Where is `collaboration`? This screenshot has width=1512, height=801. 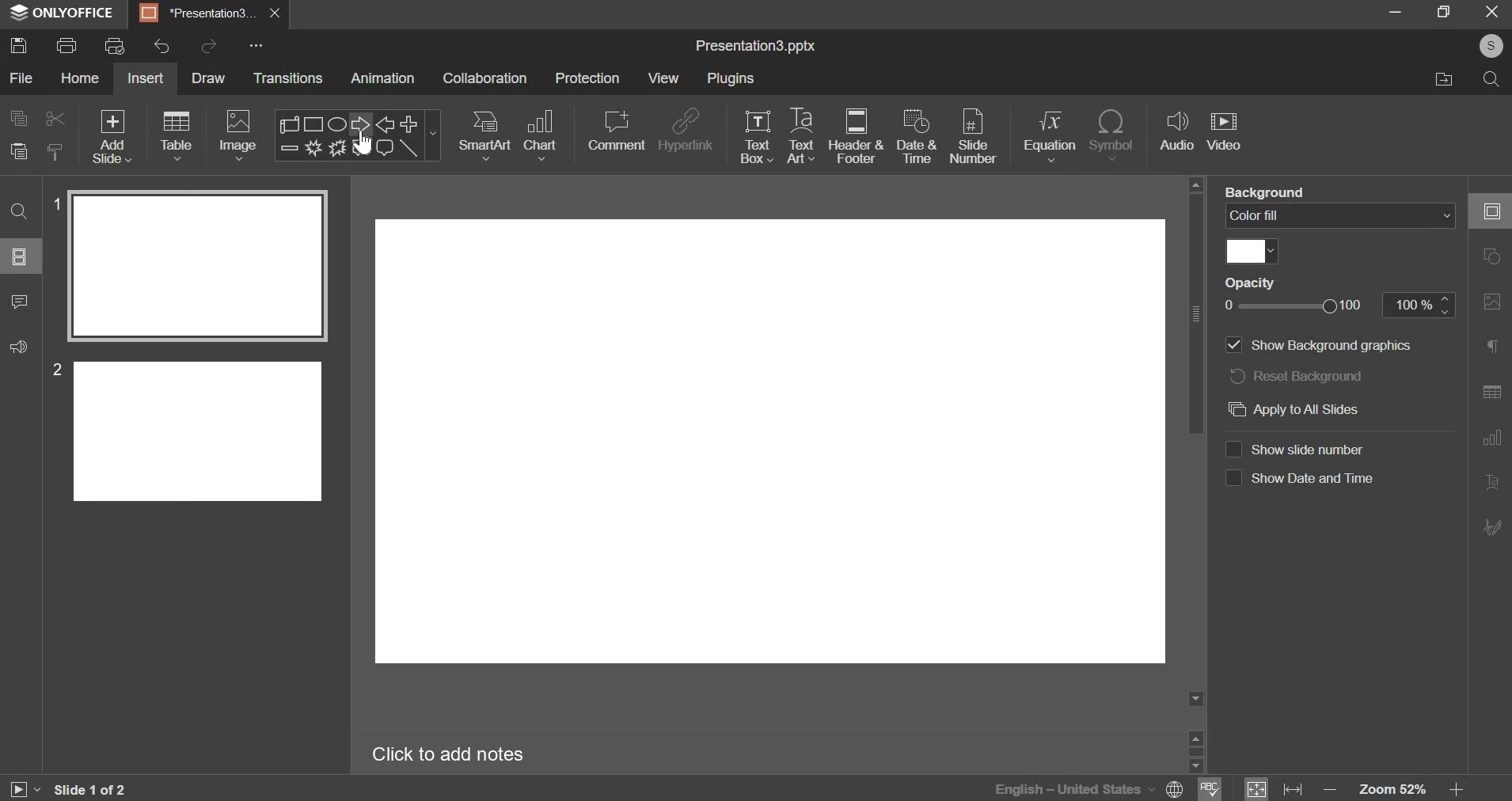 collaboration is located at coordinates (485, 78).